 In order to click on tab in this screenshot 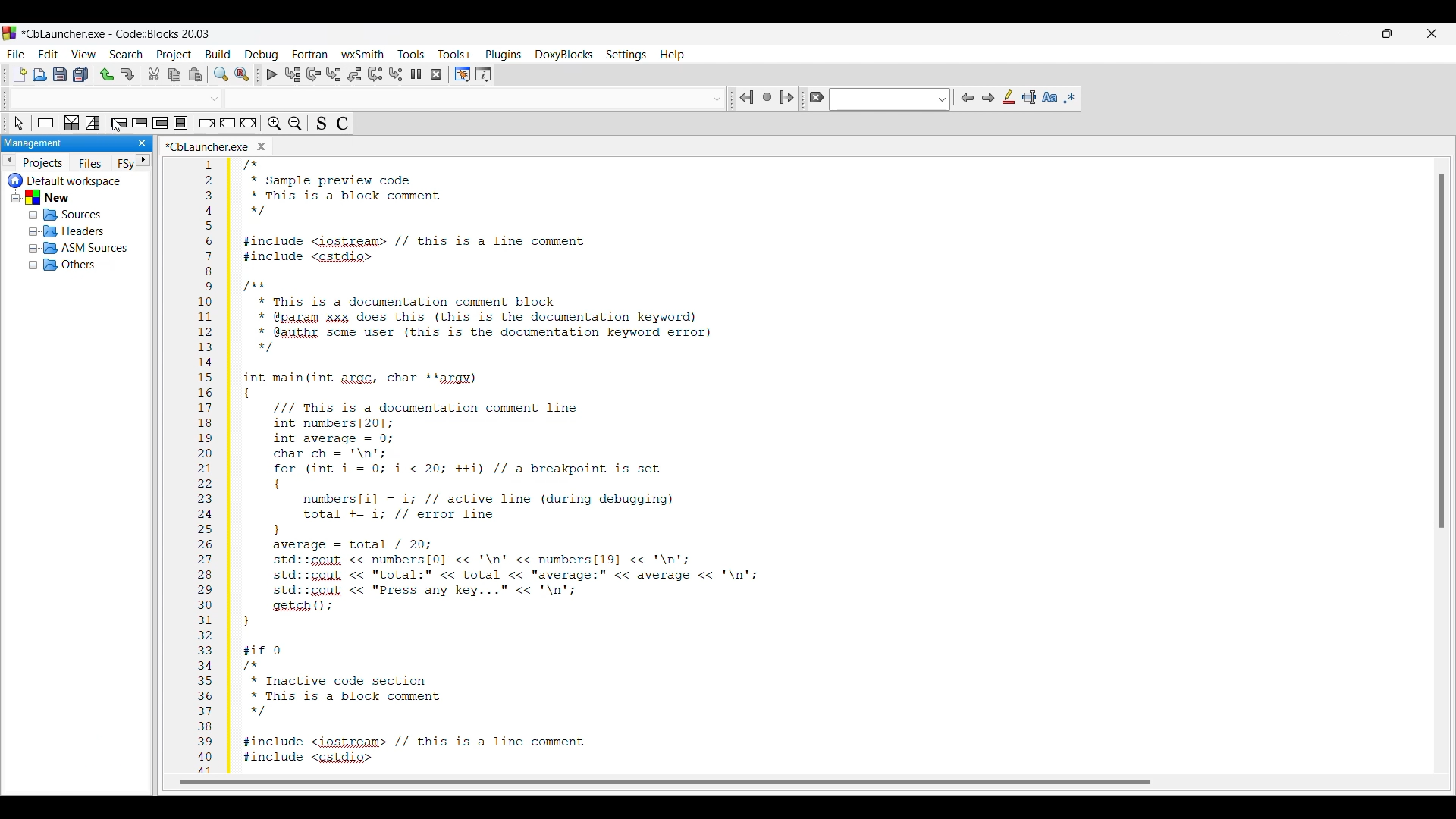, I will do `click(370, 99)`.